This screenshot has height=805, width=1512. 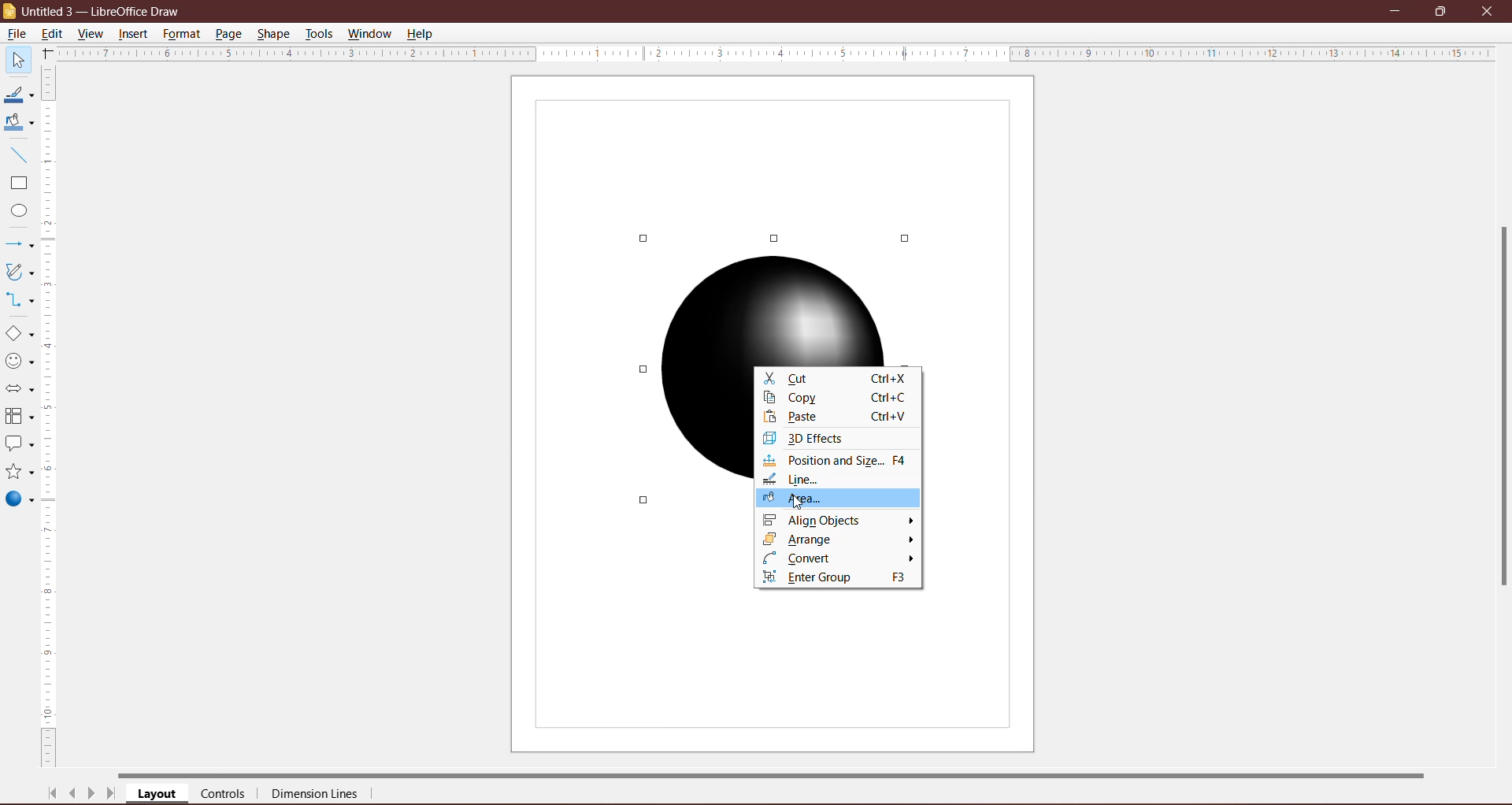 What do you see at coordinates (421, 35) in the screenshot?
I see `Help` at bounding box center [421, 35].